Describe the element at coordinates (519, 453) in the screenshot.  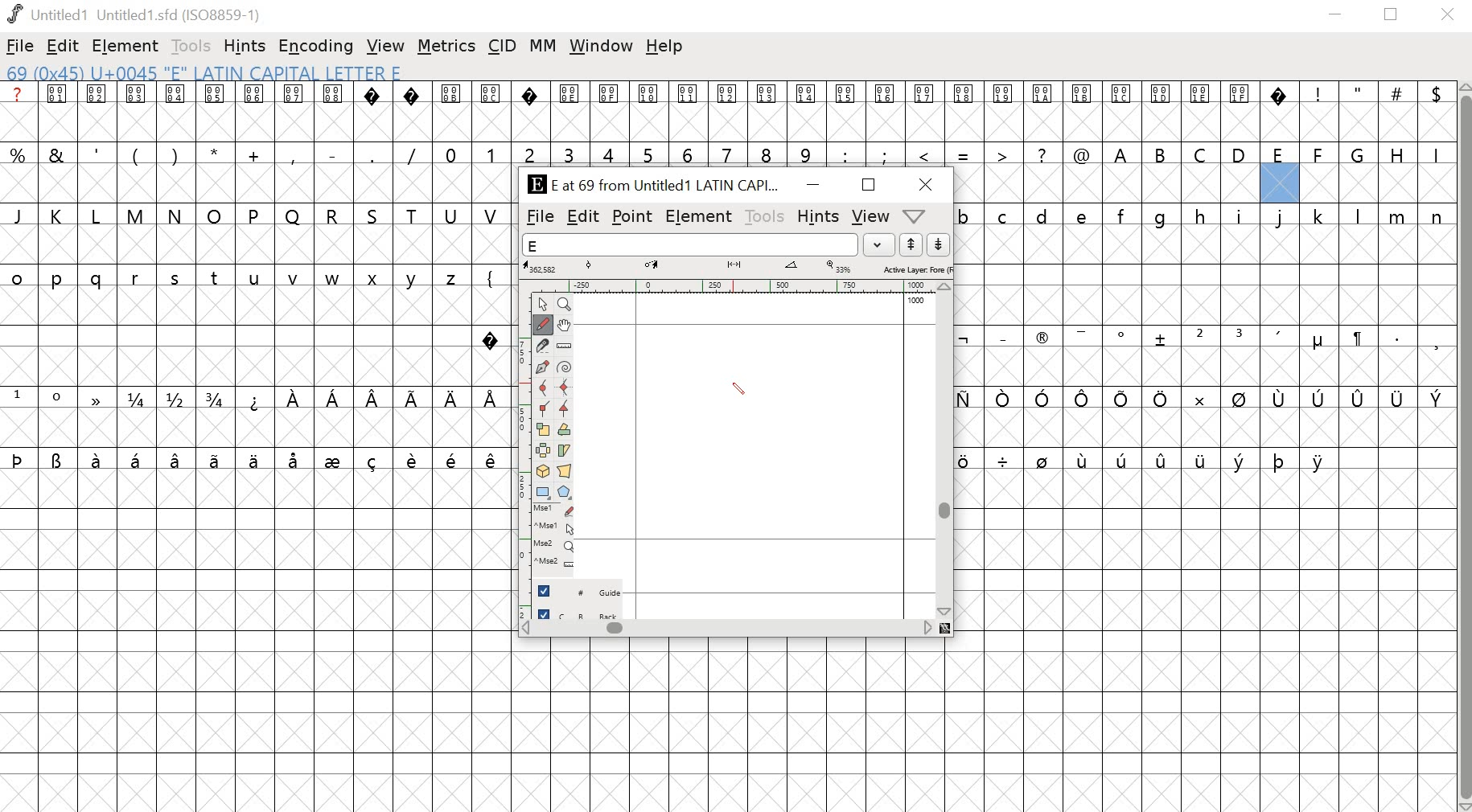
I see `ruler` at that location.